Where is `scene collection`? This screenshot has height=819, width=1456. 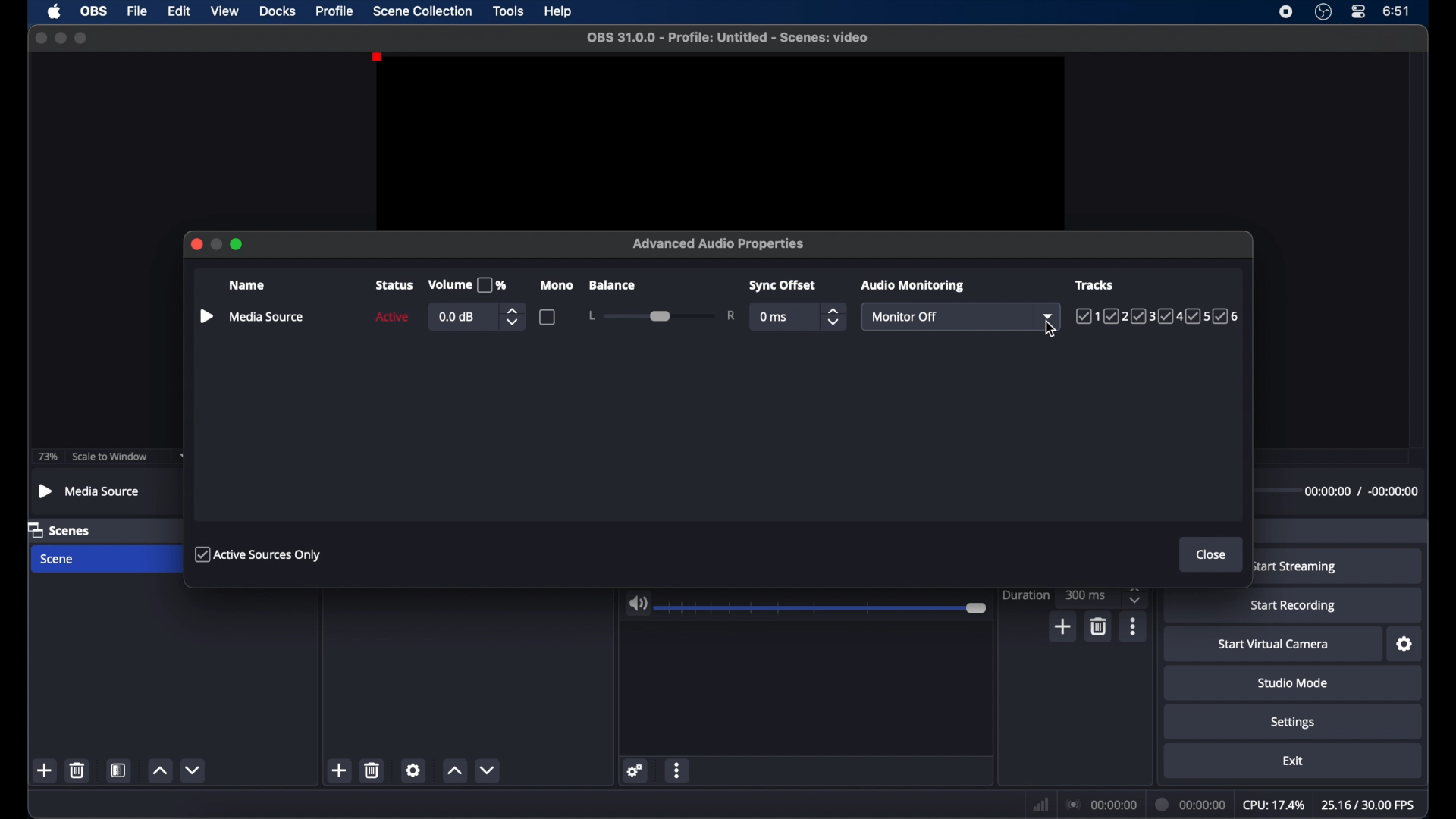
scene collection is located at coordinates (422, 11).